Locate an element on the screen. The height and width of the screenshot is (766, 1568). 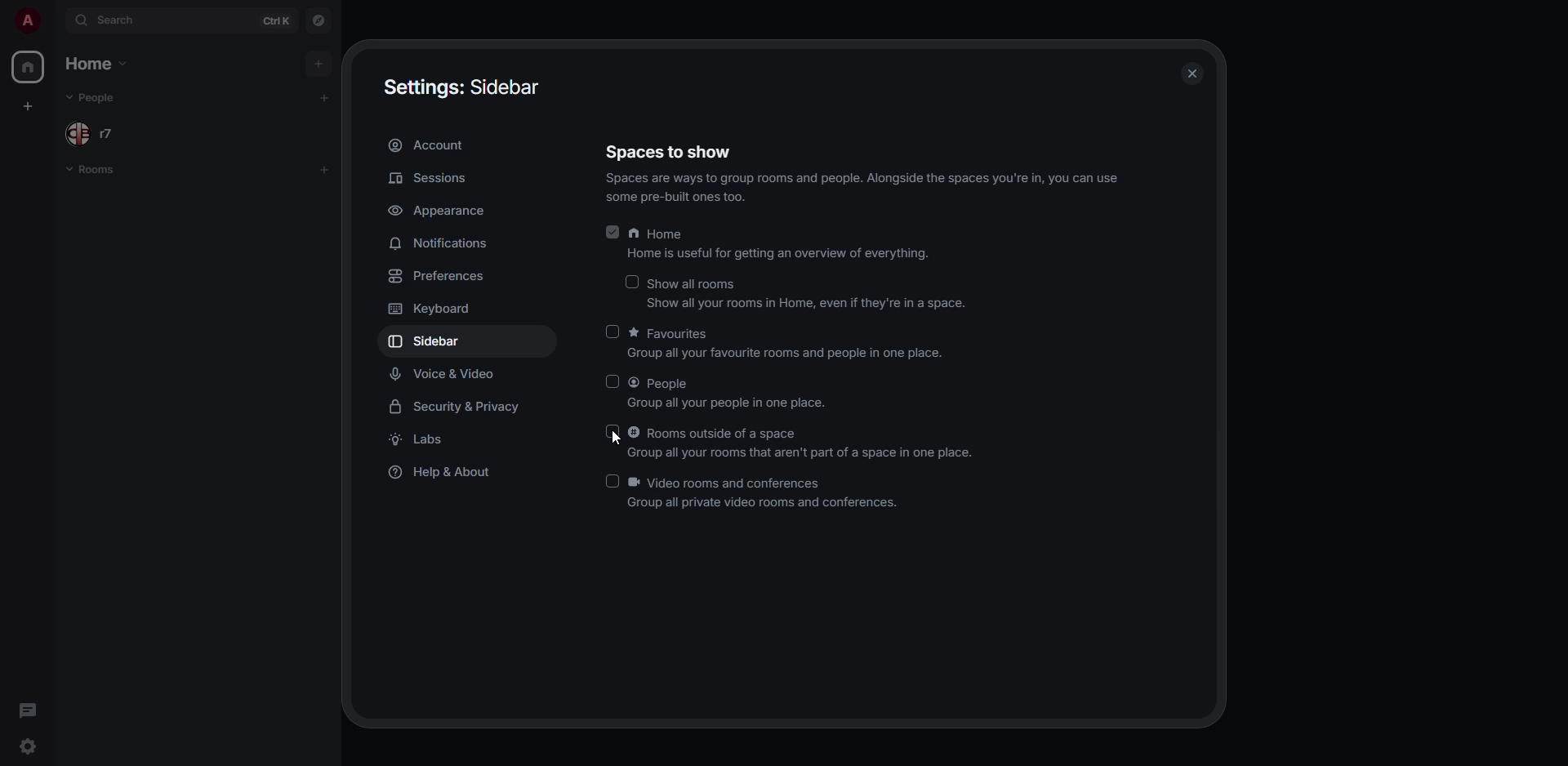
add is located at coordinates (325, 169).